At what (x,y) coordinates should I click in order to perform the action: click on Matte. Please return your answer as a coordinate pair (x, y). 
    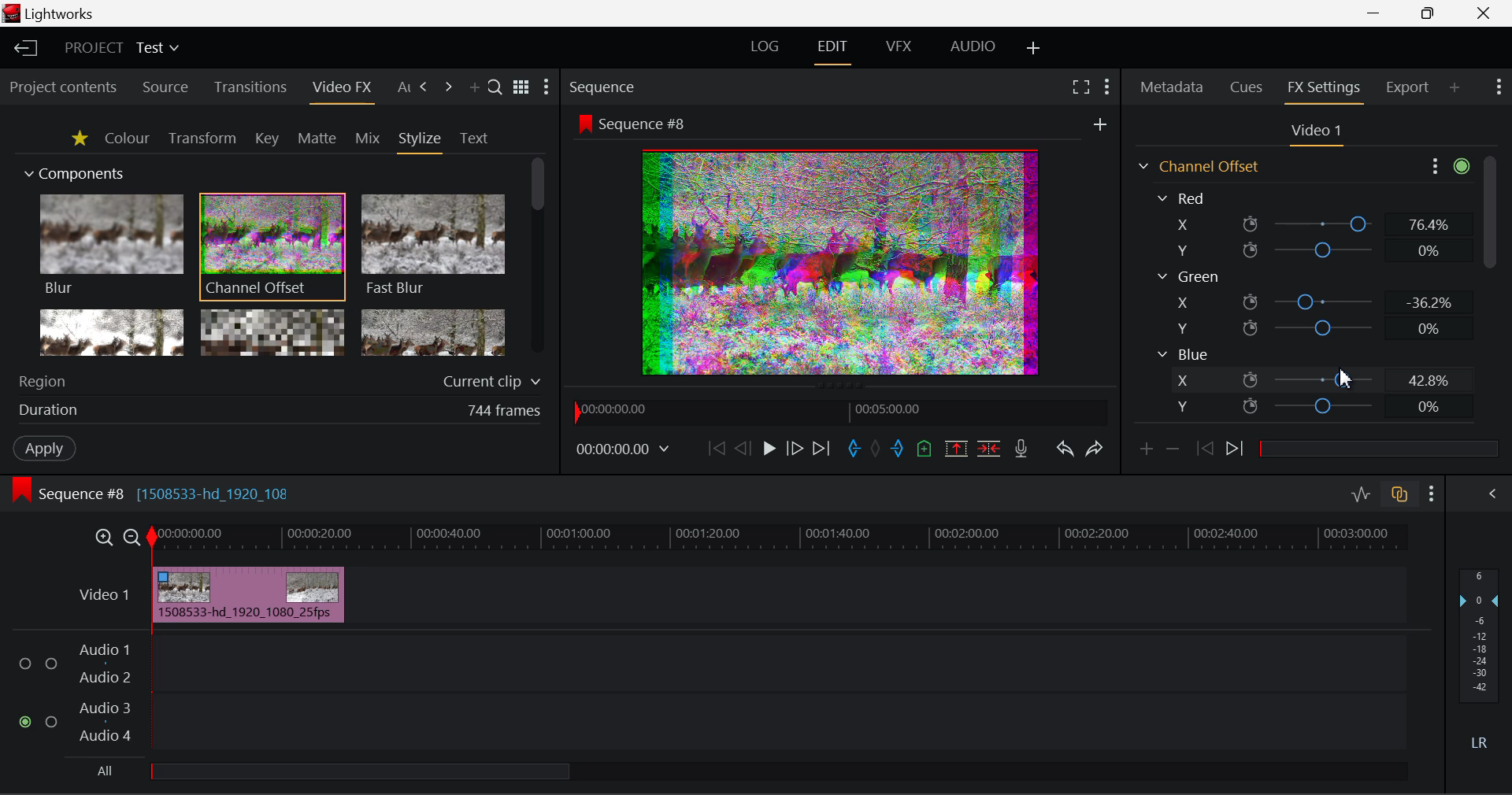
    Looking at the image, I should click on (317, 139).